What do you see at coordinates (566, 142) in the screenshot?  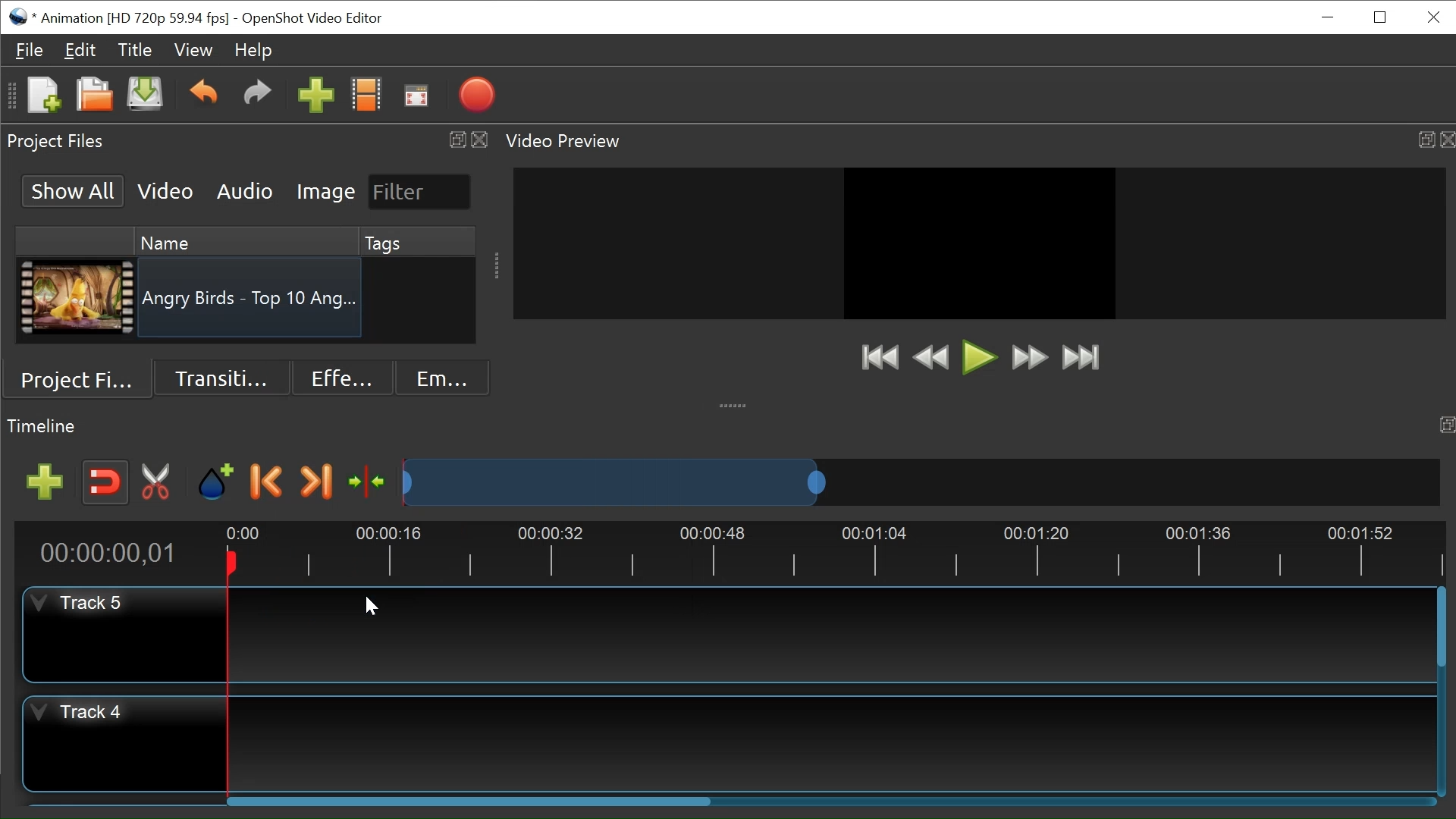 I see `Video Preview Panel` at bounding box center [566, 142].